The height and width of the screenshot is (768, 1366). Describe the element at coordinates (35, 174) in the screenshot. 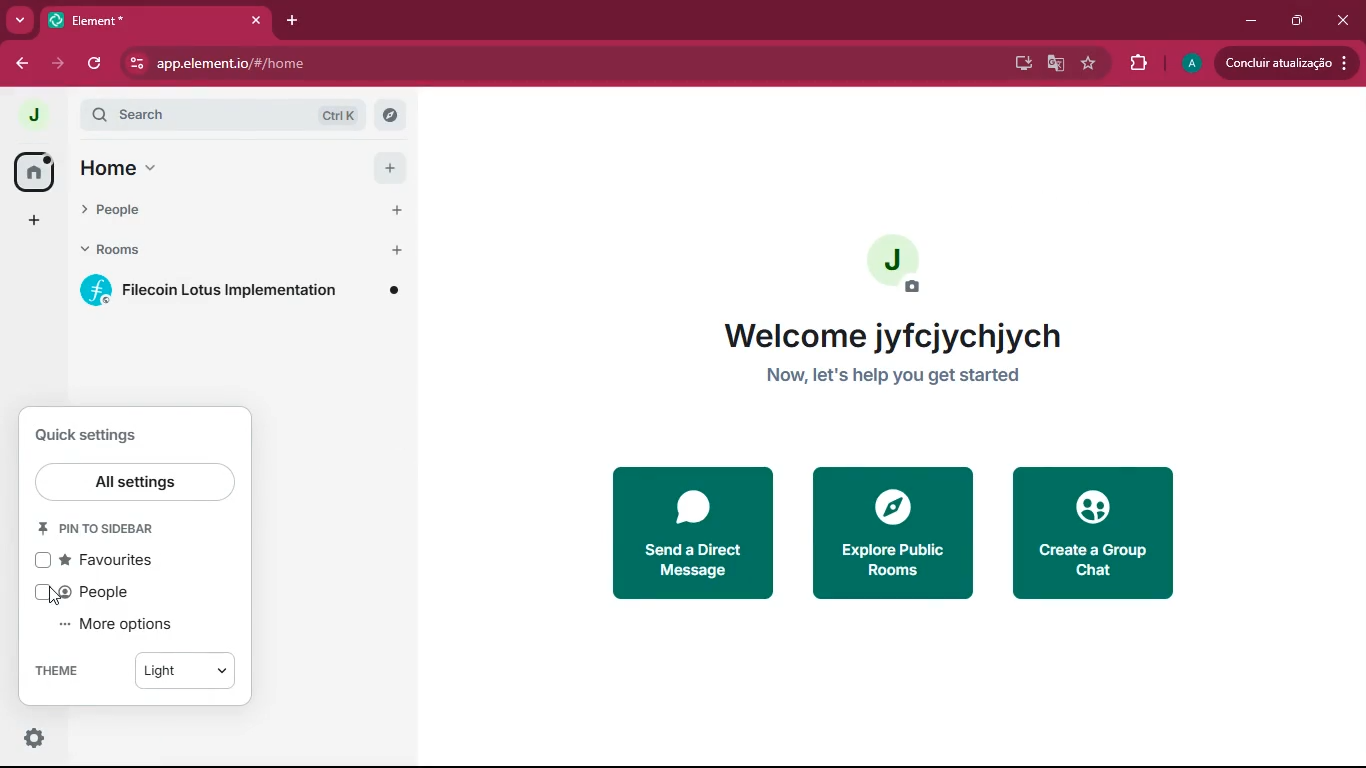

I see `home` at that location.